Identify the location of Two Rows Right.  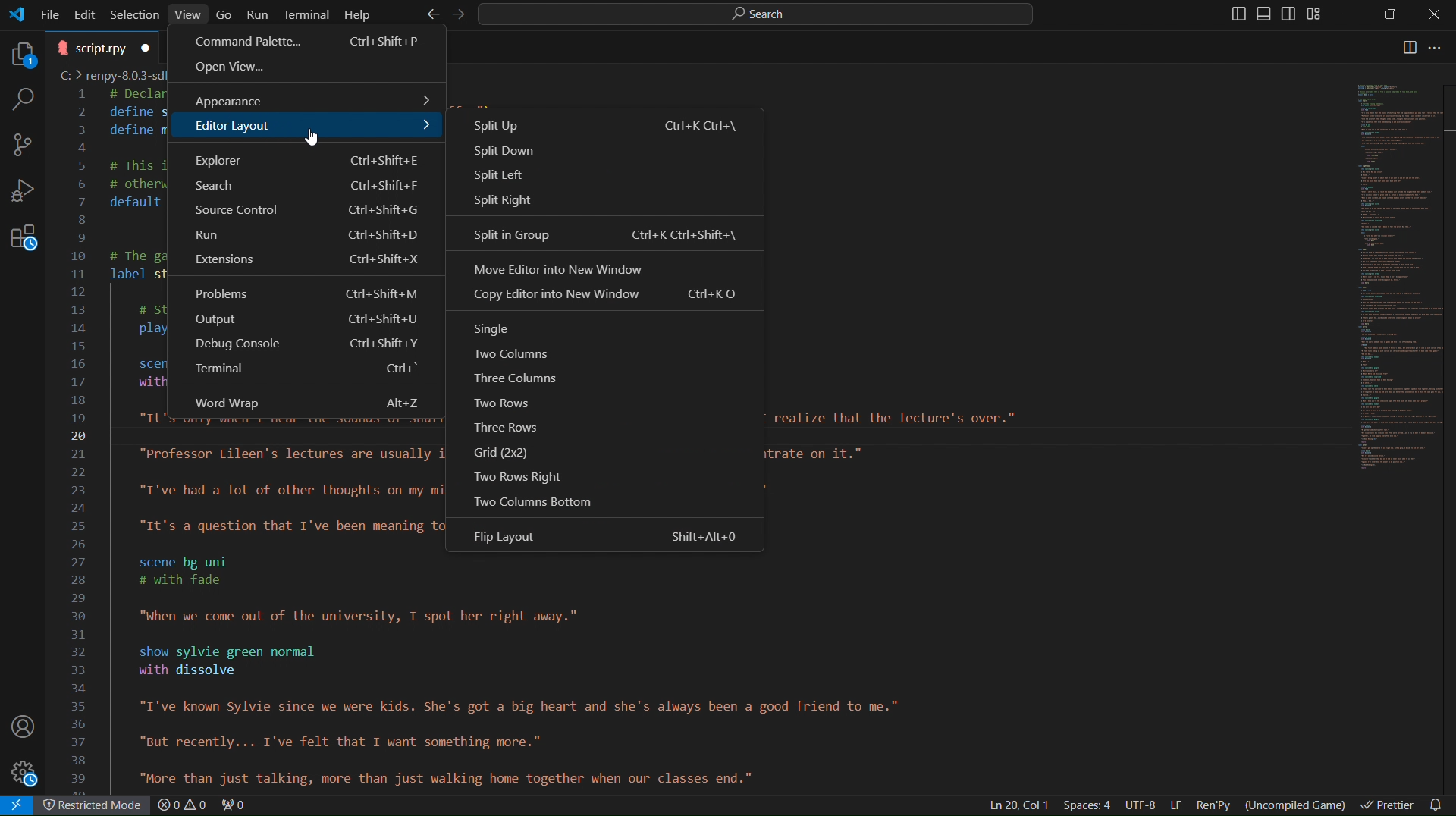
(511, 475).